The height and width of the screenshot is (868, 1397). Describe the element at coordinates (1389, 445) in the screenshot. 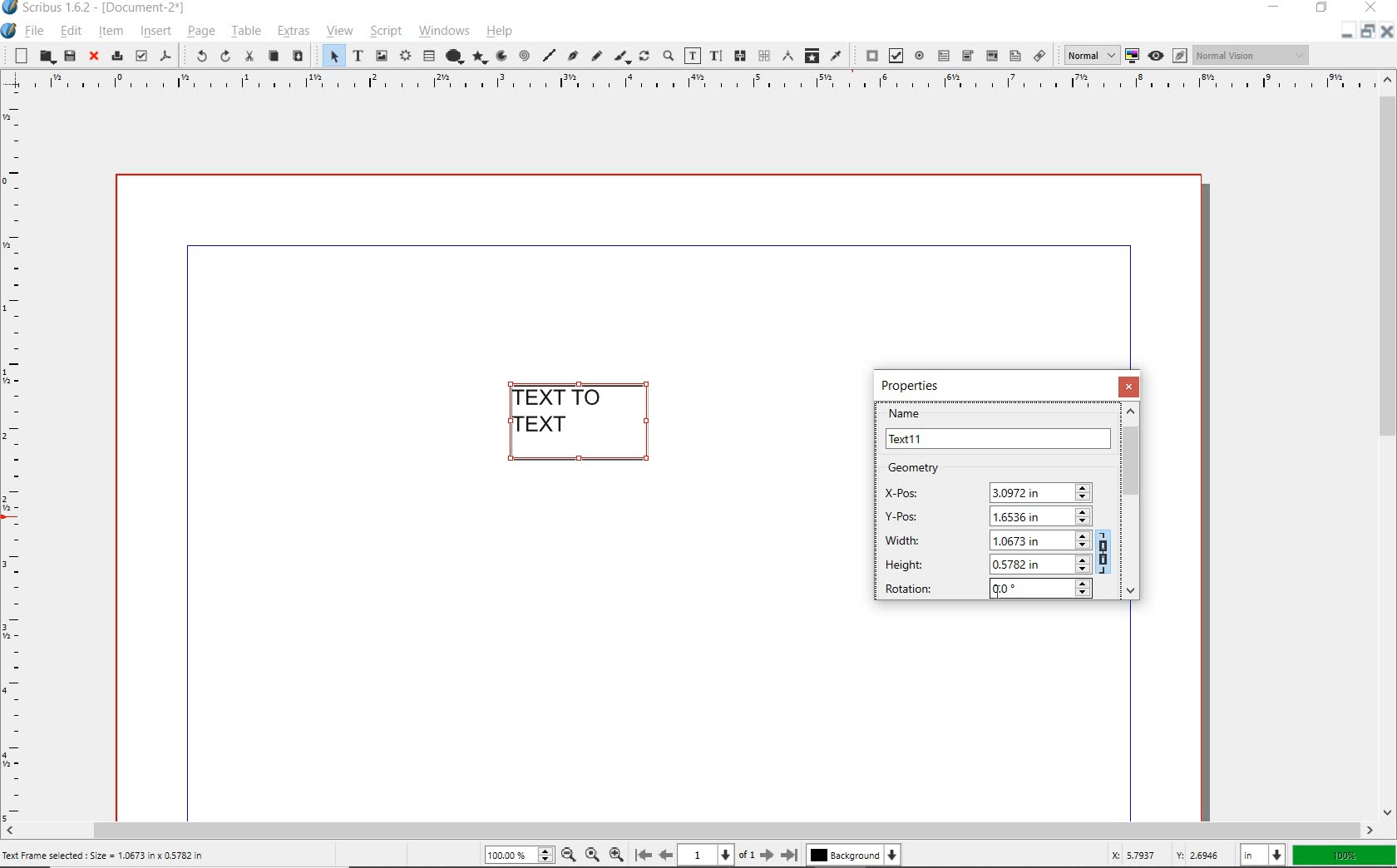

I see `scrollbar` at that location.